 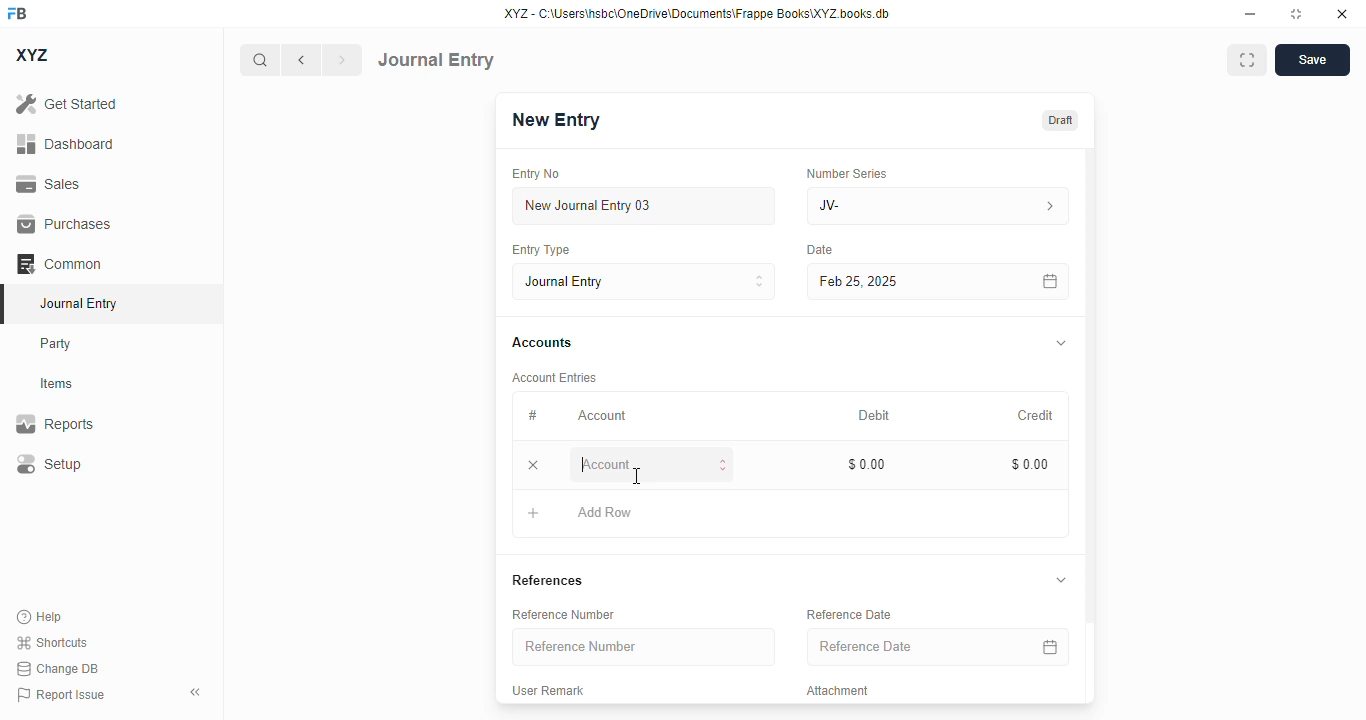 What do you see at coordinates (1295, 14) in the screenshot?
I see `toggle maximize` at bounding box center [1295, 14].